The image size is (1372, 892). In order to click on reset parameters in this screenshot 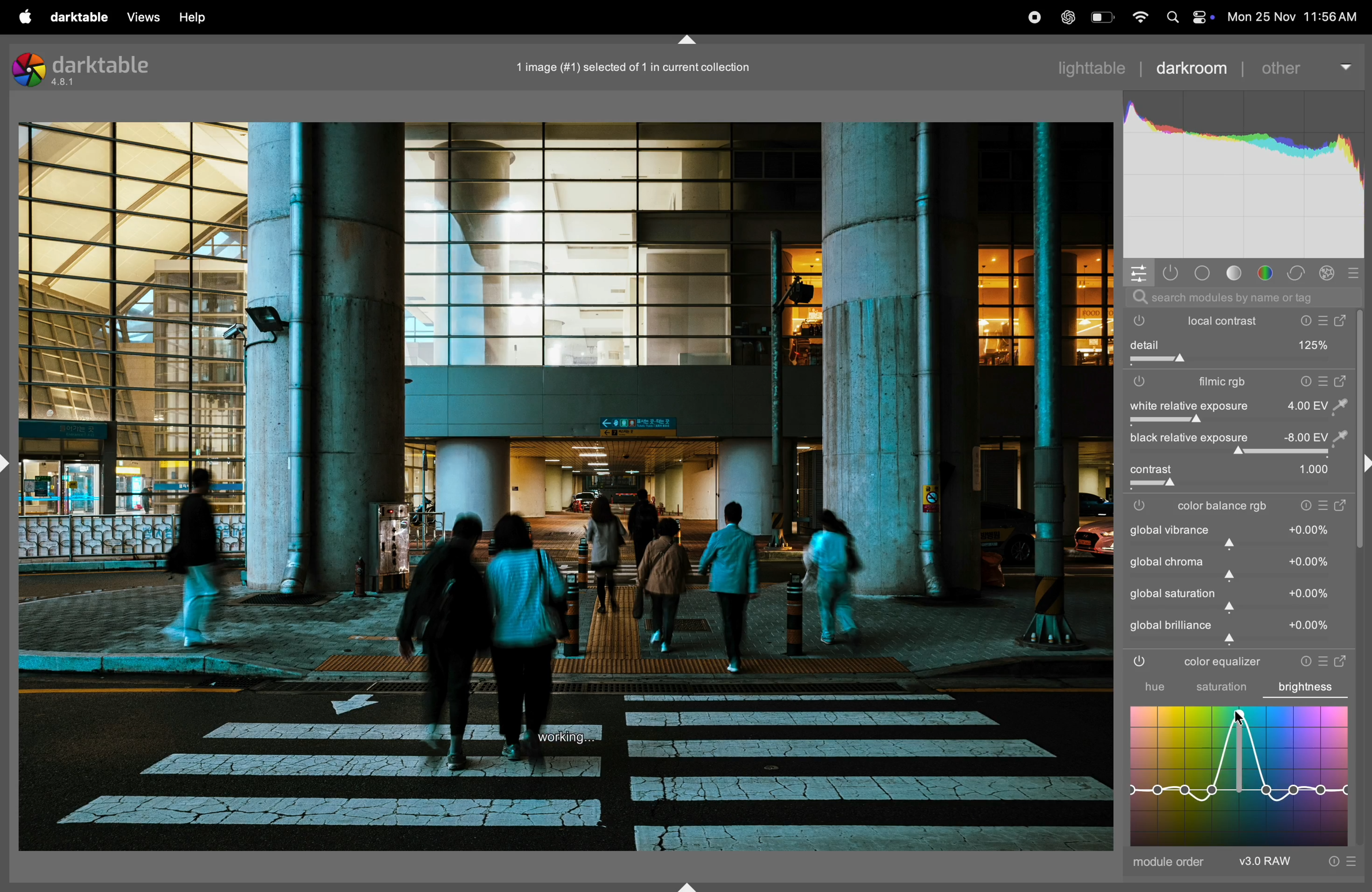, I will do `click(1301, 660)`.